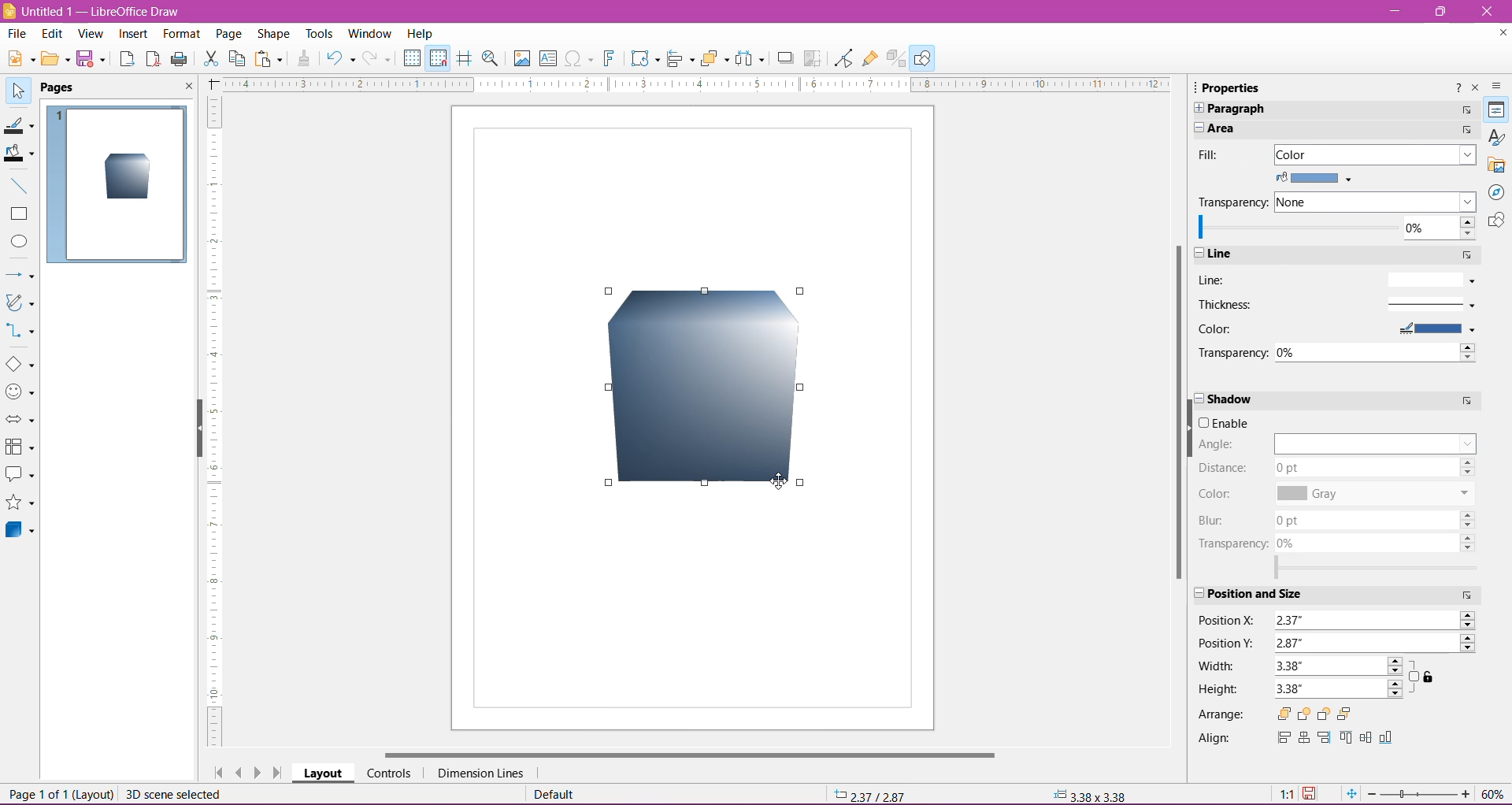 The height and width of the screenshot is (805, 1512). I want to click on Clone Formatting, so click(305, 59).